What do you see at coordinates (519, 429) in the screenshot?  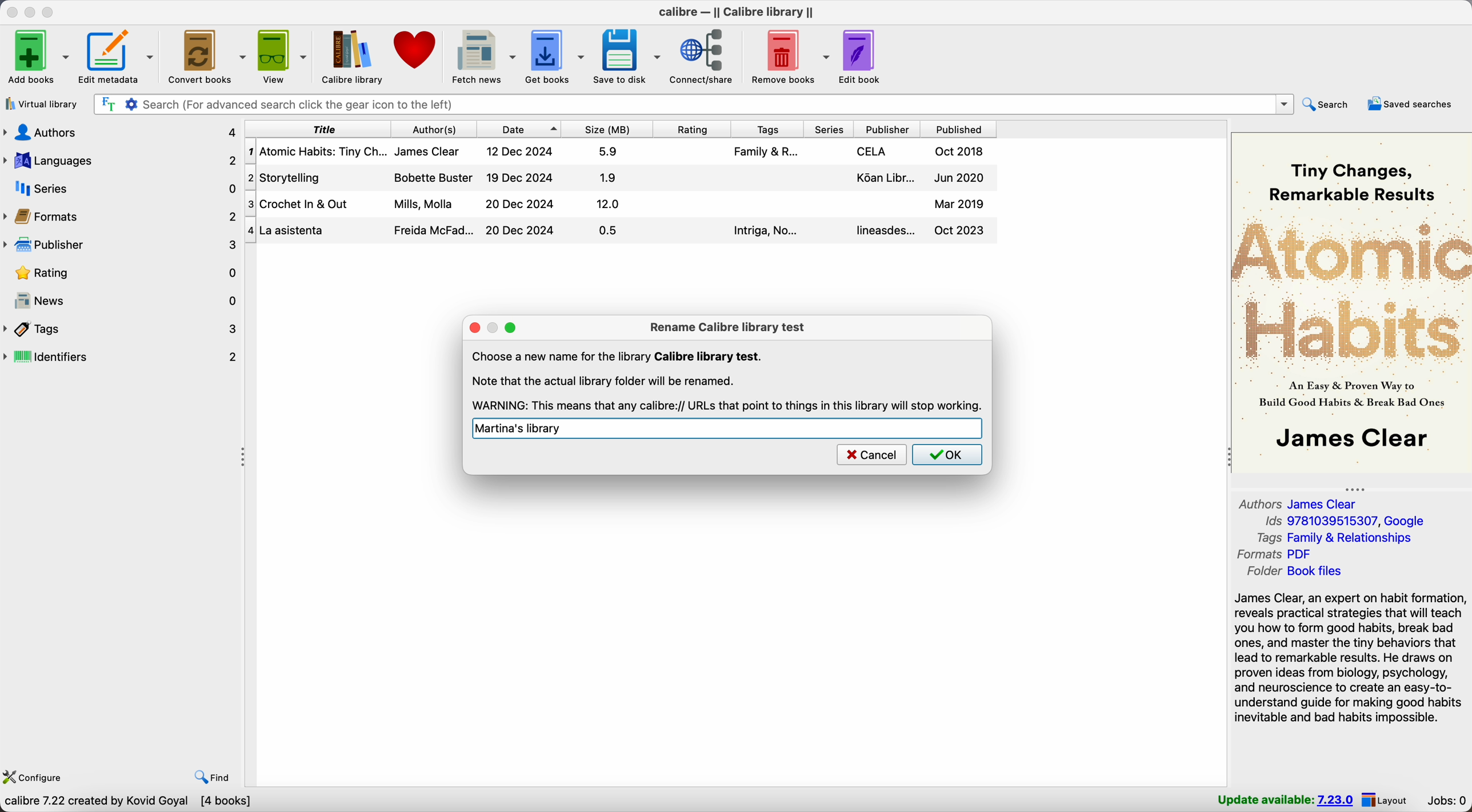 I see `Martina's library` at bounding box center [519, 429].